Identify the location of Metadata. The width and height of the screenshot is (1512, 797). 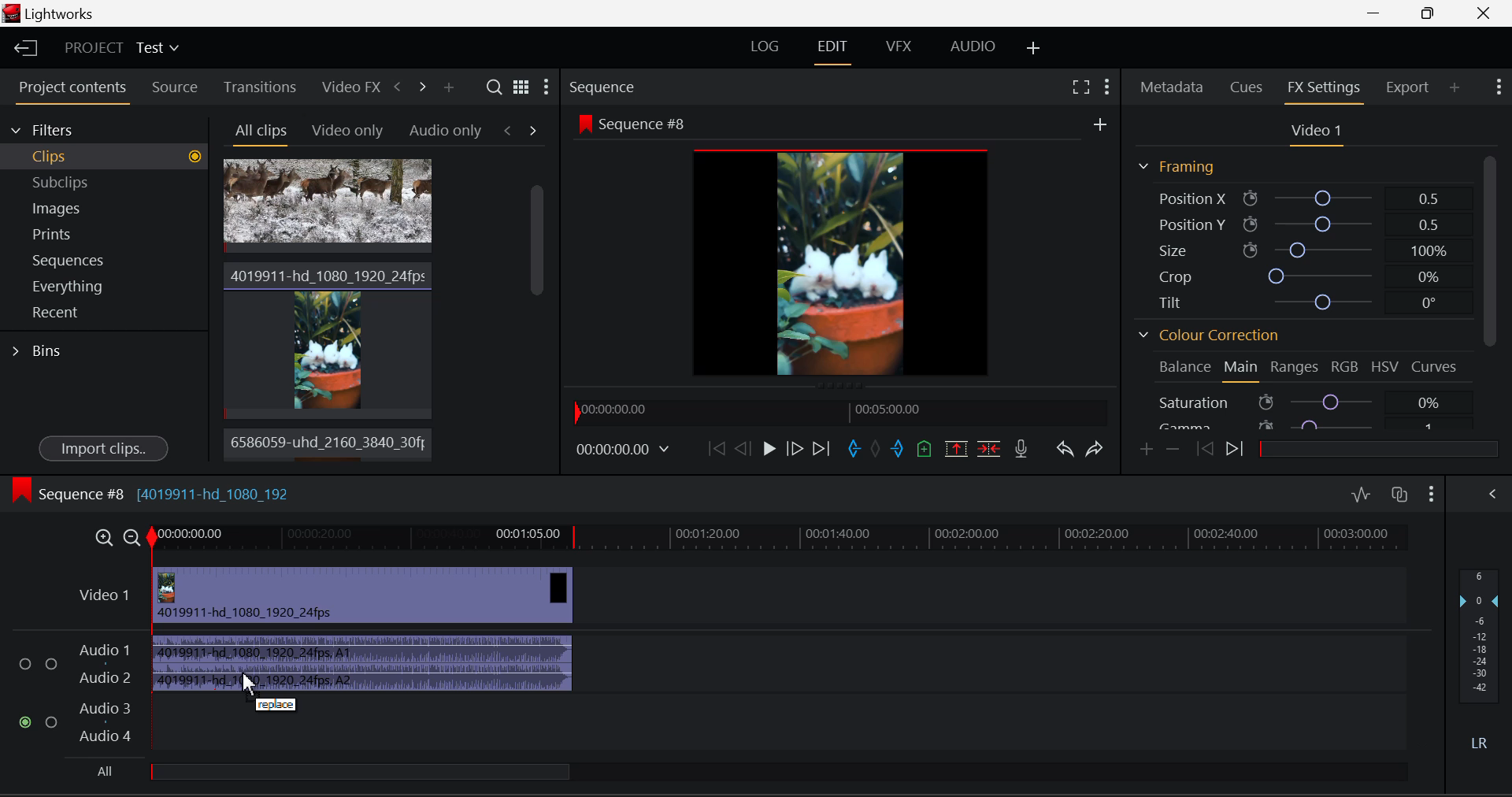
(1173, 86).